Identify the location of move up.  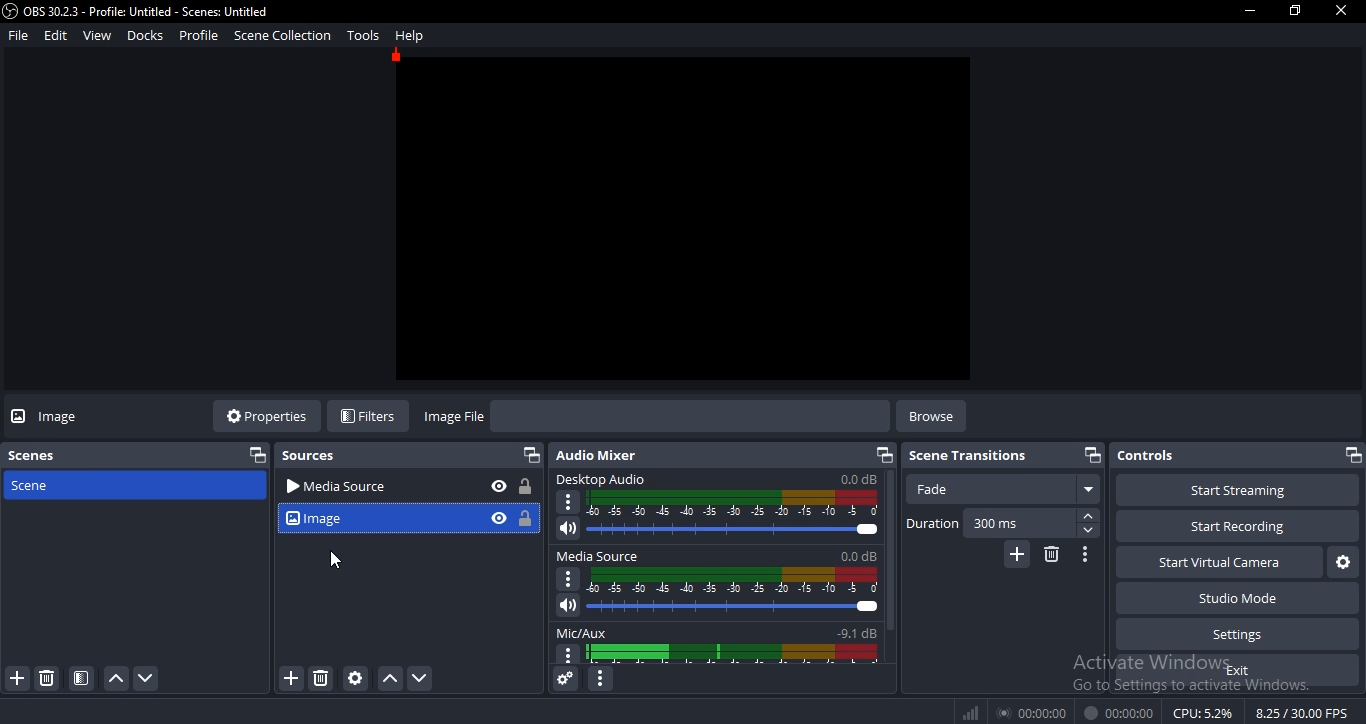
(112, 680).